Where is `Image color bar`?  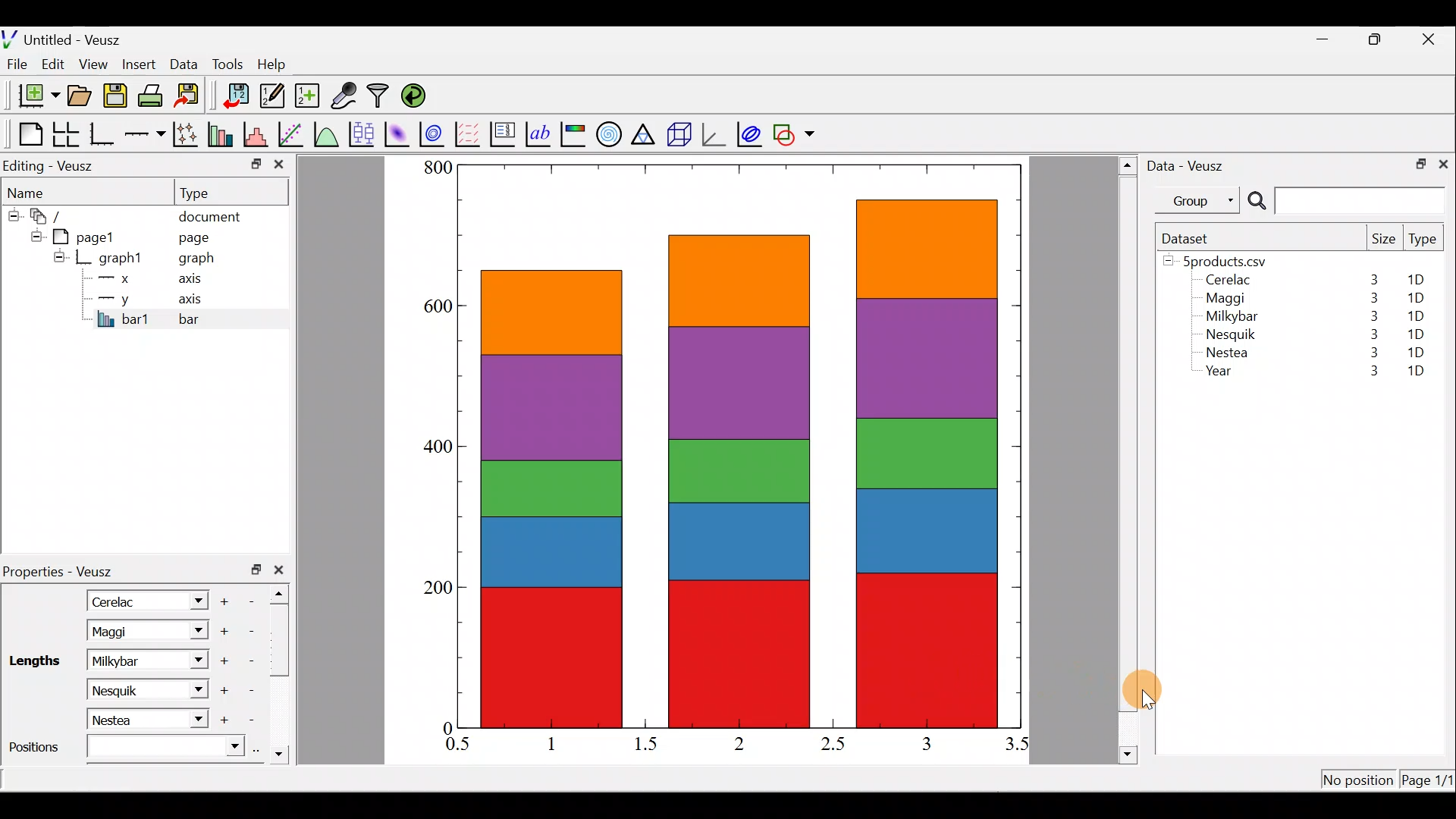 Image color bar is located at coordinates (574, 133).